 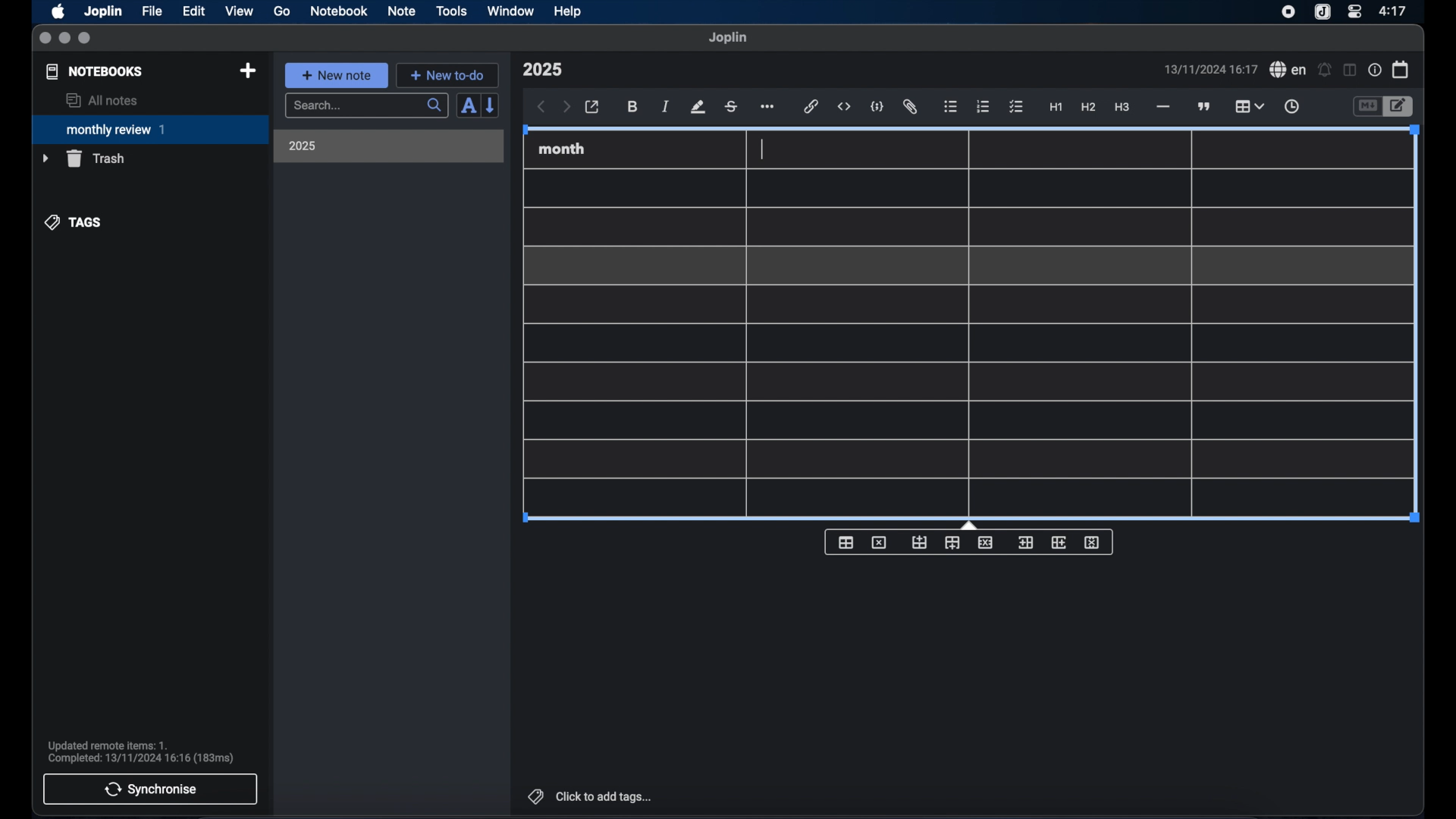 What do you see at coordinates (769, 108) in the screenshot?
I see `more options` at bounding box center [769, 108].